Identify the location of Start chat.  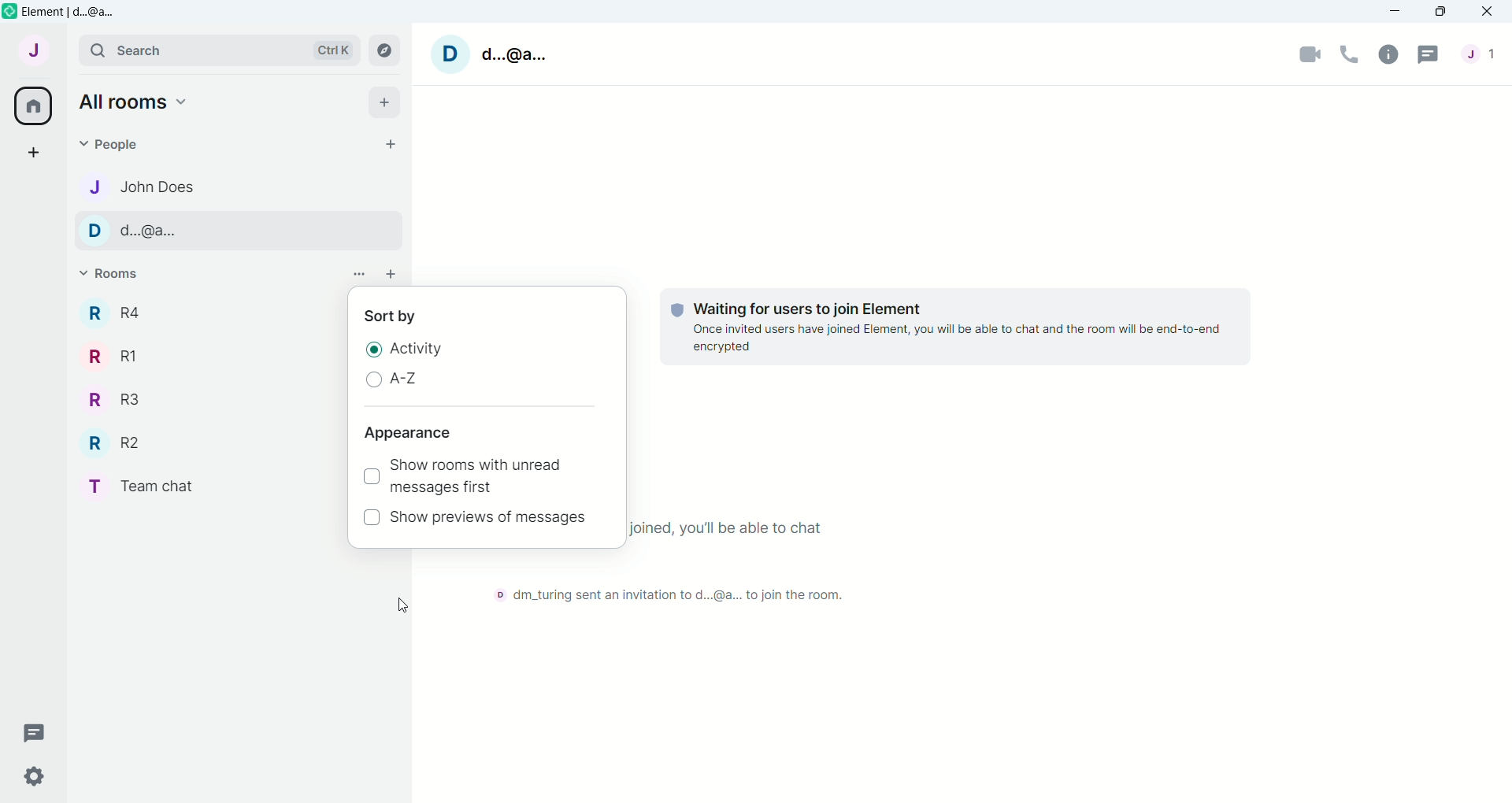
(390, 143).